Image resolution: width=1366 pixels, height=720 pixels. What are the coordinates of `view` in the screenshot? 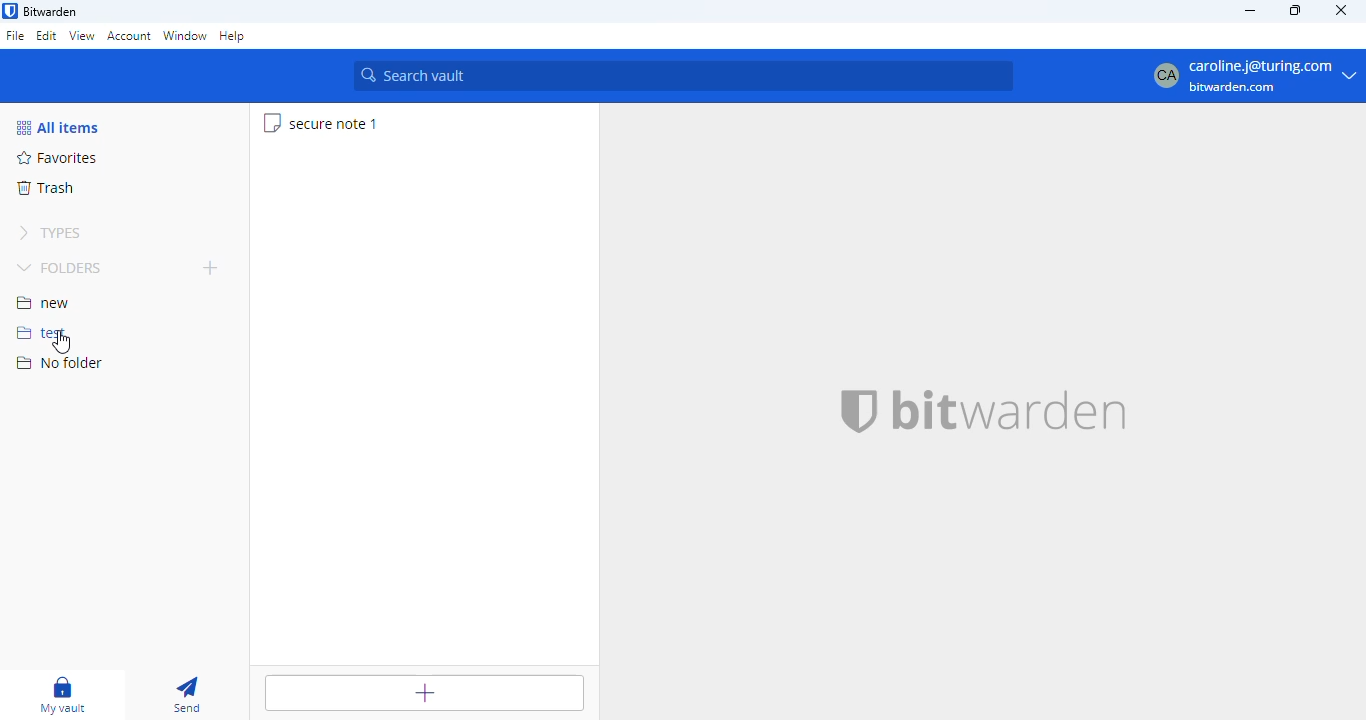 It's located at (82, 36).